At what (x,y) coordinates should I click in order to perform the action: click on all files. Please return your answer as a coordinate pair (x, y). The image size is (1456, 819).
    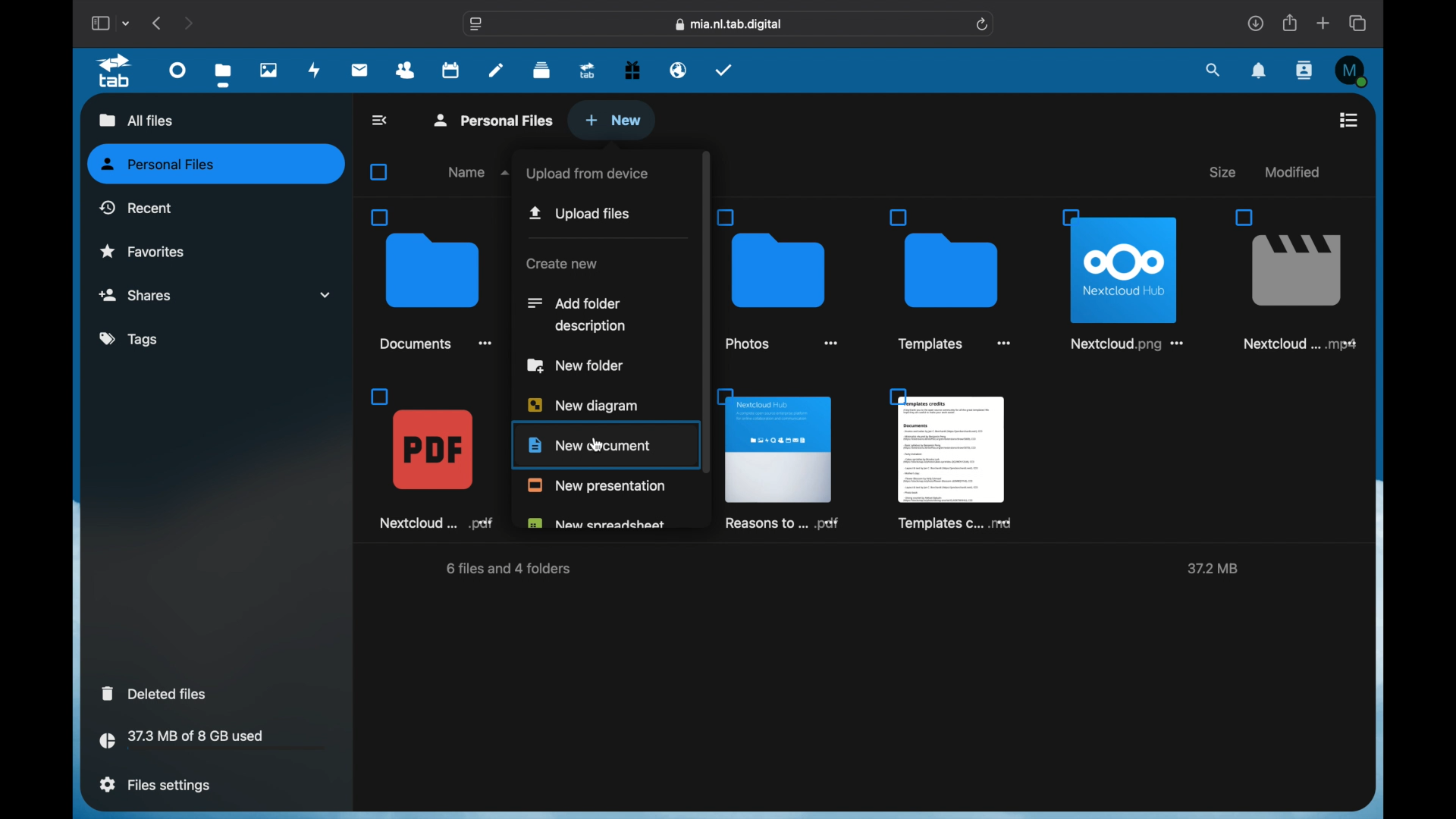
    Looking at the image, I should click on (133, 119).